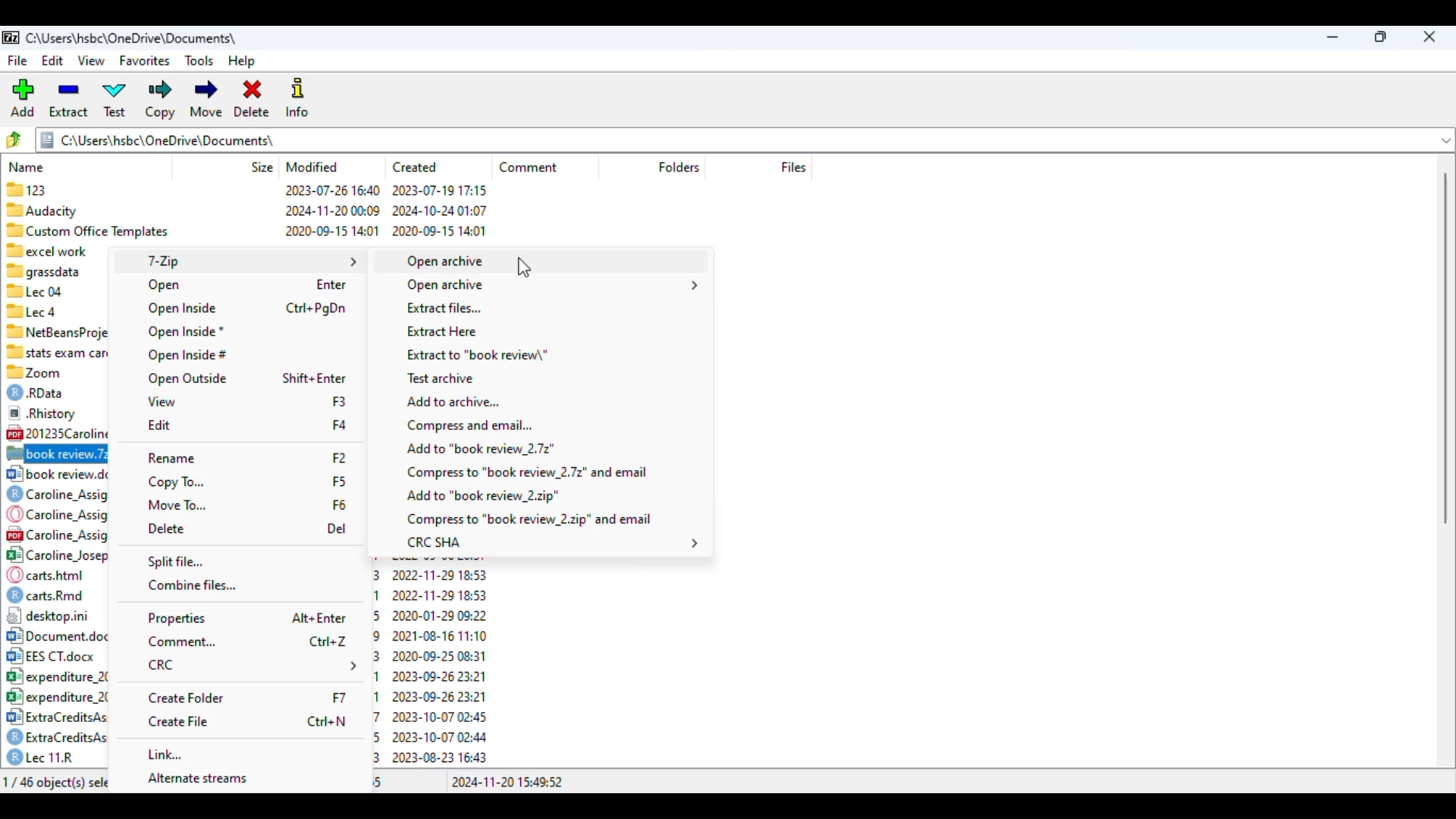  Describe the element at coordinates (54, 60) in the screenshot. I see `edit` at that location.